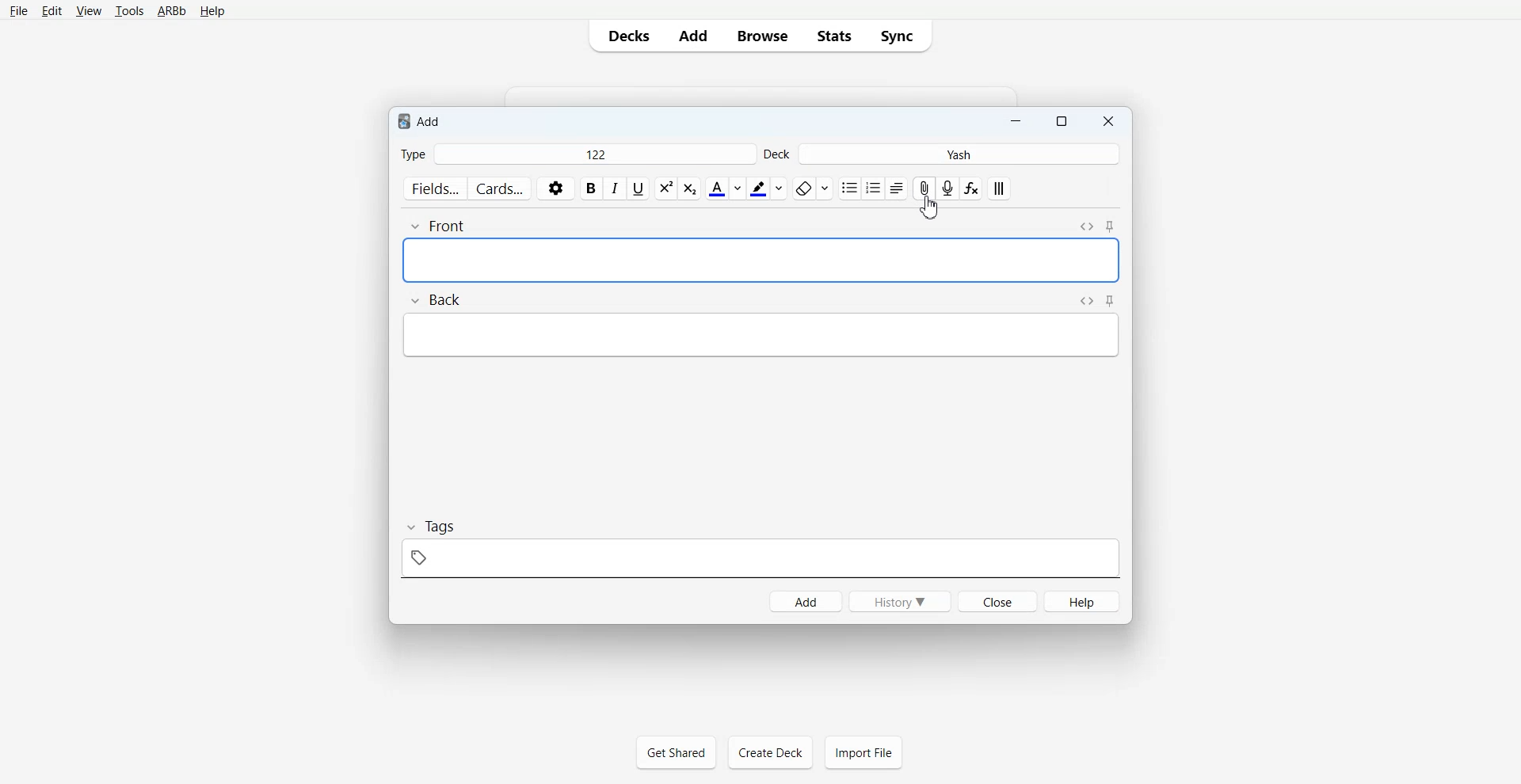 The width and height of the screenshot is (1521, 784). Describe the element at coordinates (626, 35) in the screenshot. I see `Decks` at that location.